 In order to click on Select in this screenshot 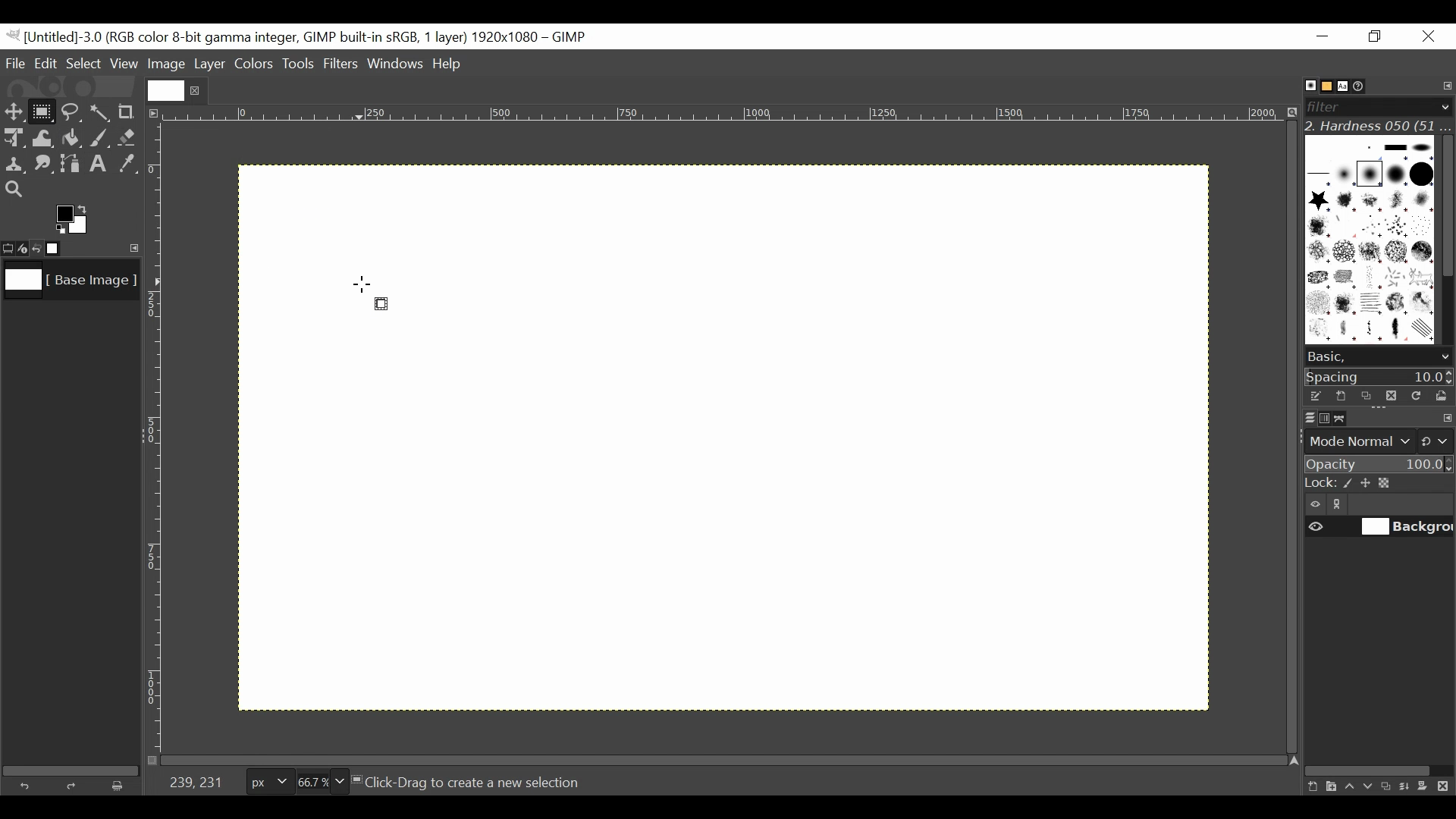, I will do `click(84, 63)`.